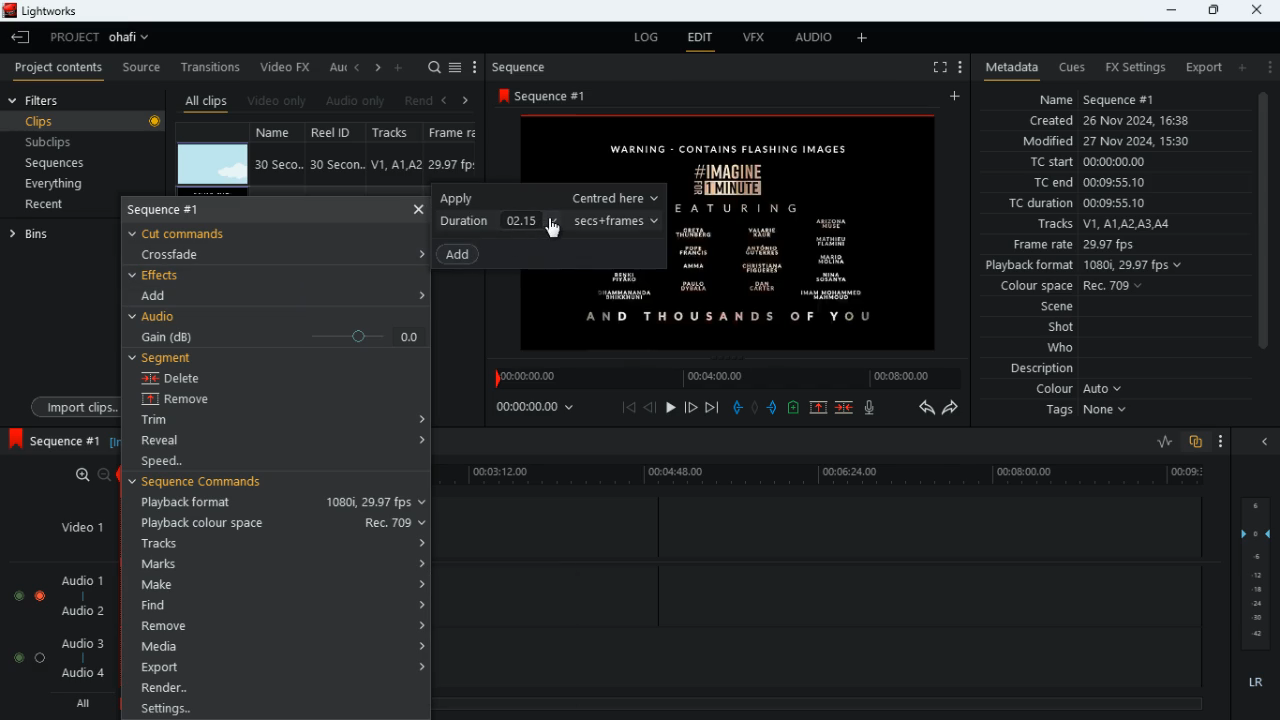  Describe the element at coordinates (463, 255) in the screenshot. I see `add` at that location.